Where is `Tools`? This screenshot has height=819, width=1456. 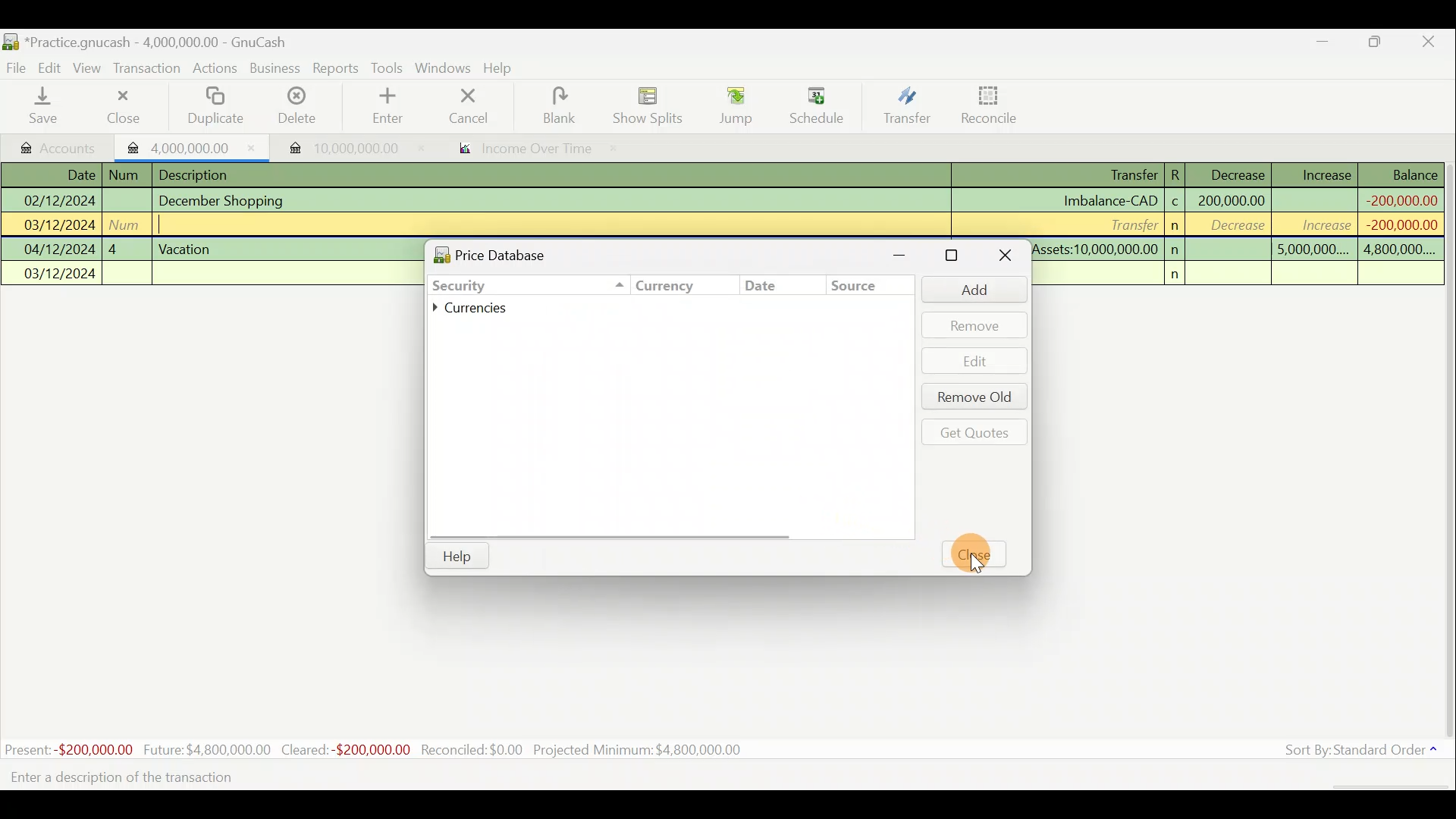 Tools is located at coordinates (388, 67).